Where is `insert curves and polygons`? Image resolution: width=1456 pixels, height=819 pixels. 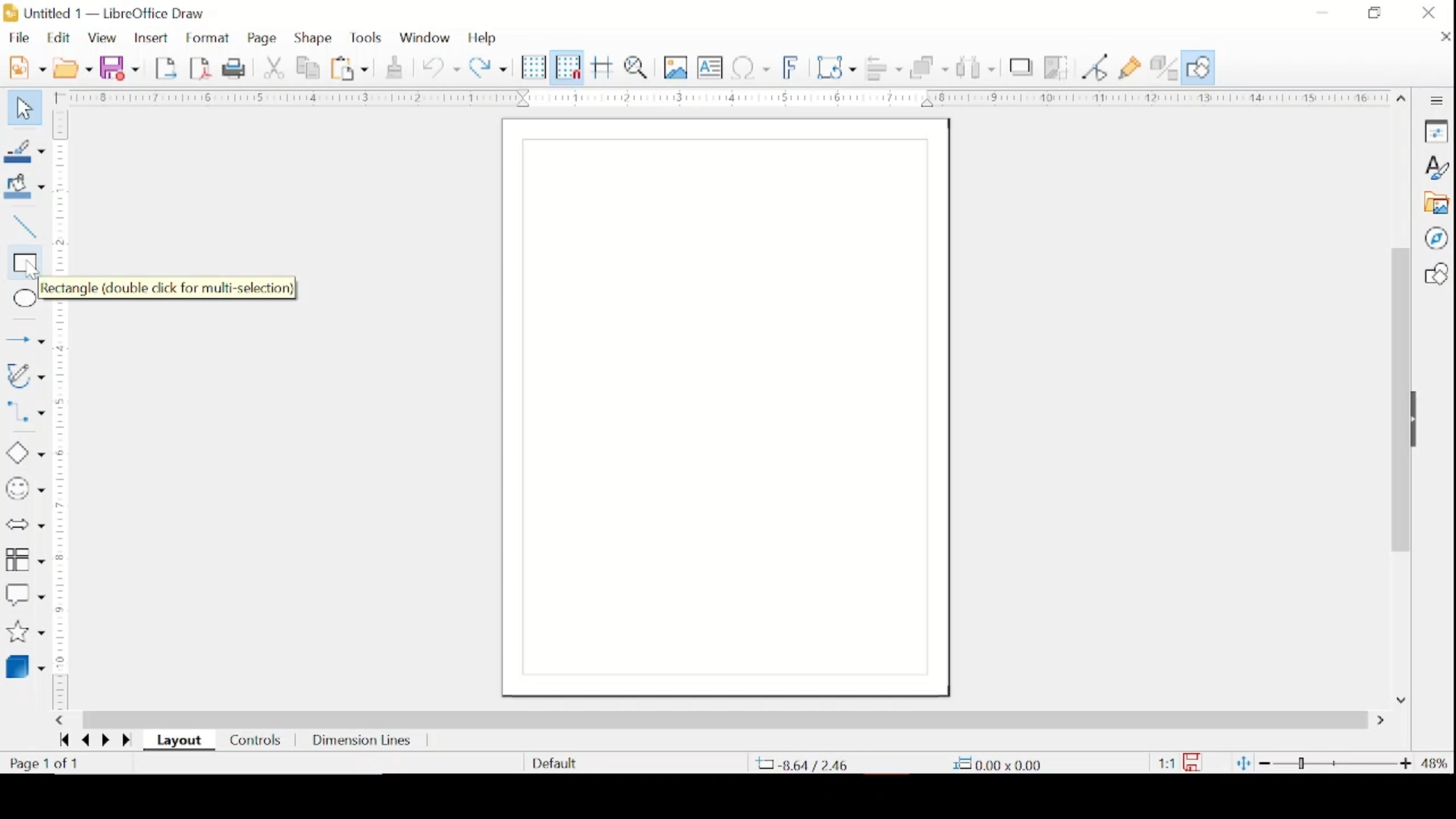 insert curves and polygons is located at coordinates (24, 377).